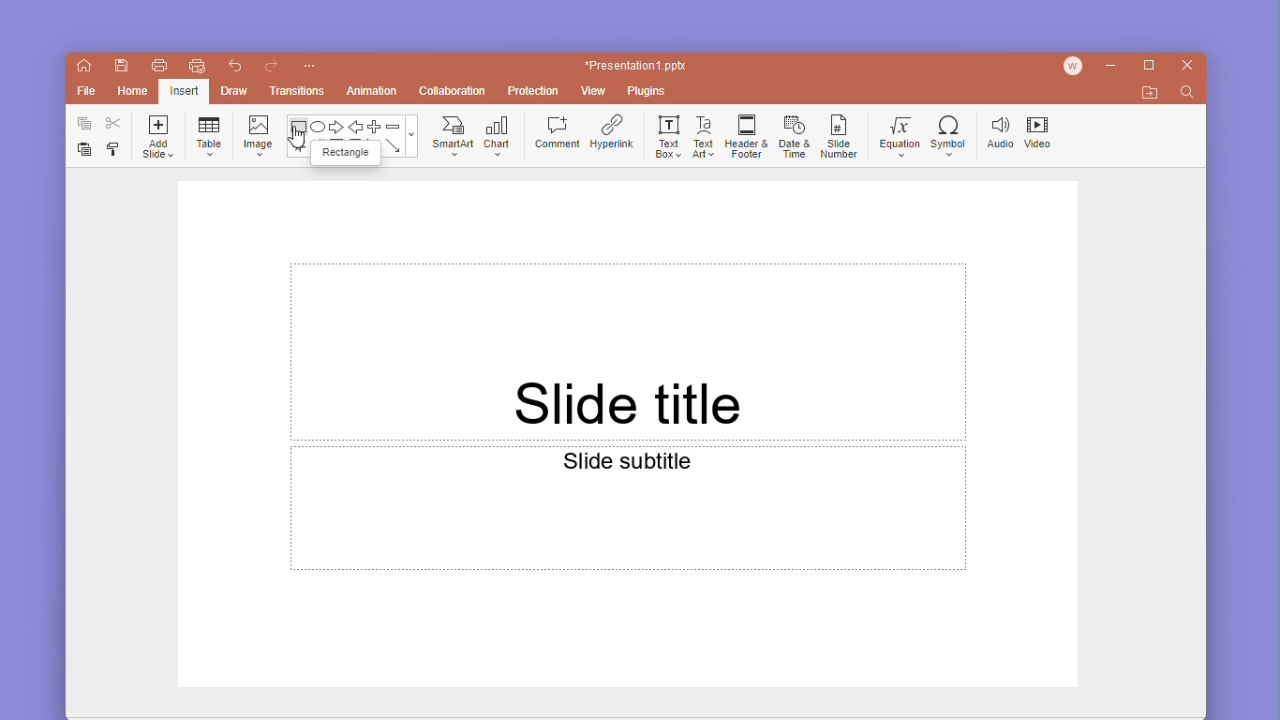  What do you see at coordinates (838, 135) in the screenshot?
I see `slide number` at bounding box center [838, 135].